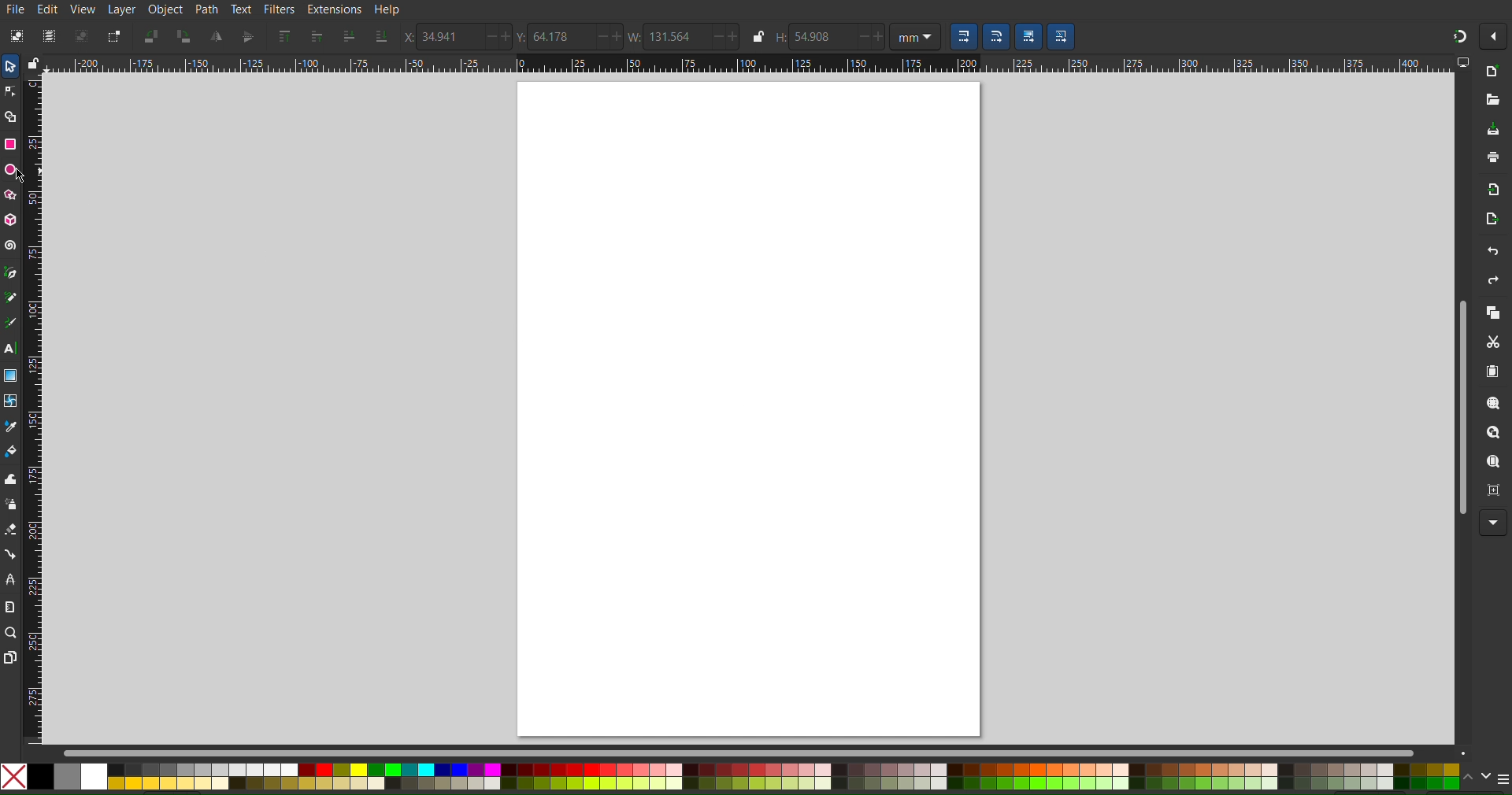  Describe the element at coordinates (15, 10) in the screenshot. I see `File` at that location.